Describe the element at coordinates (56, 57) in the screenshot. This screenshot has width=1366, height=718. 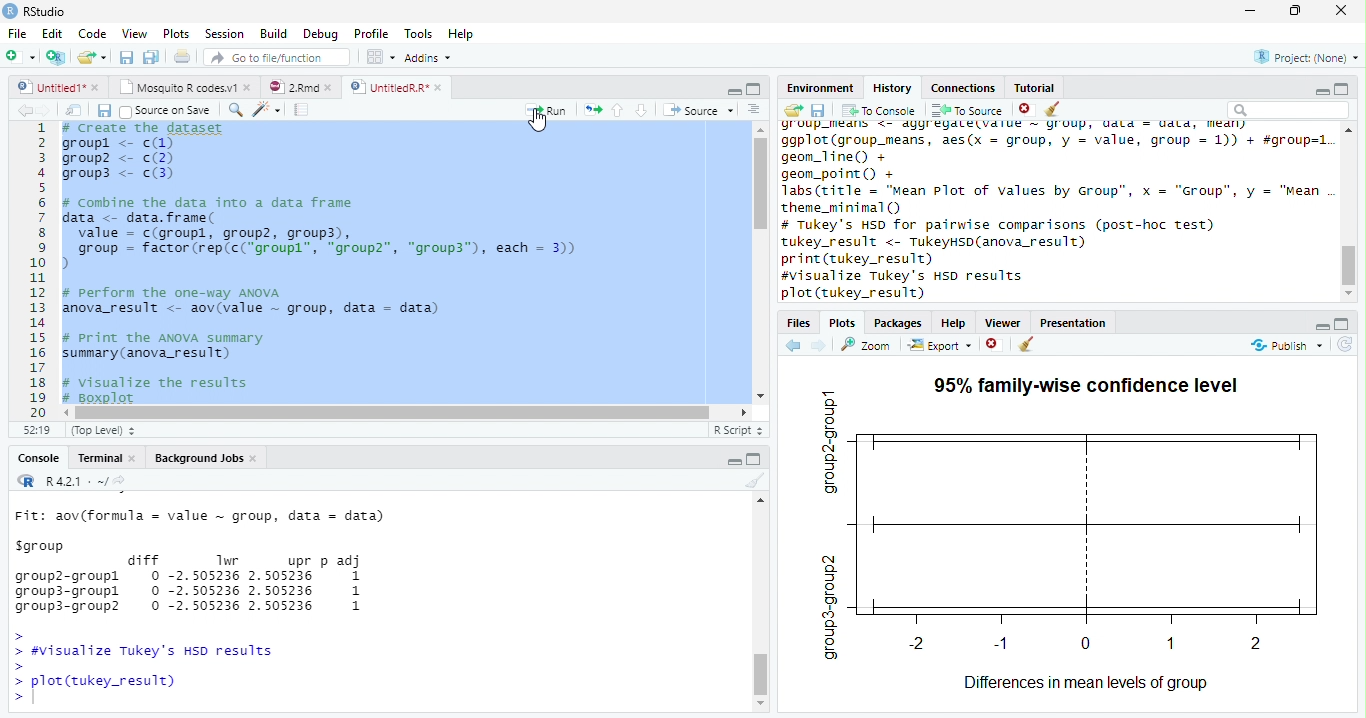
I see `Create a Project` at that location.